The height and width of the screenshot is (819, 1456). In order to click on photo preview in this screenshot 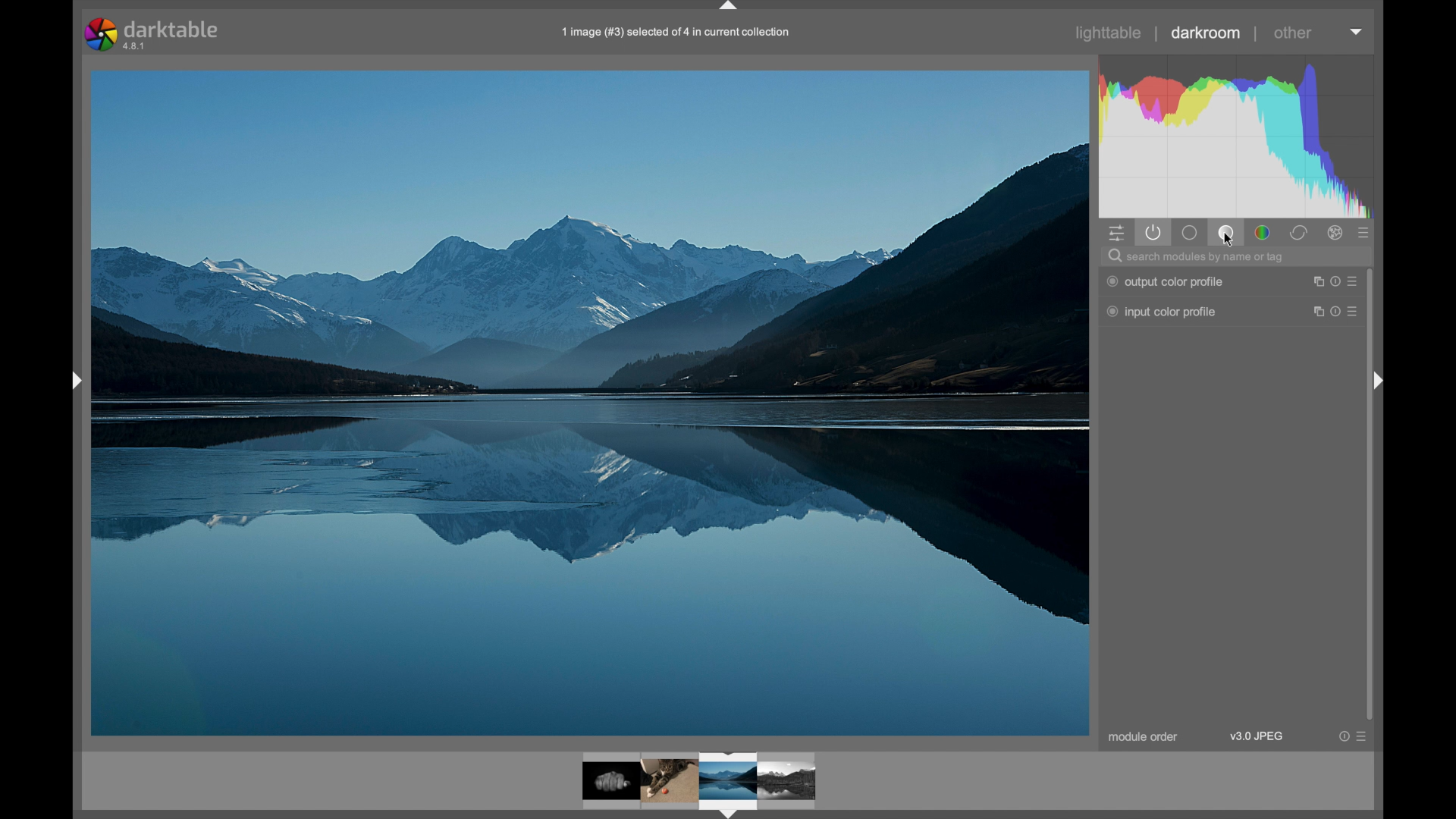, I will do `click(700, 783)`.